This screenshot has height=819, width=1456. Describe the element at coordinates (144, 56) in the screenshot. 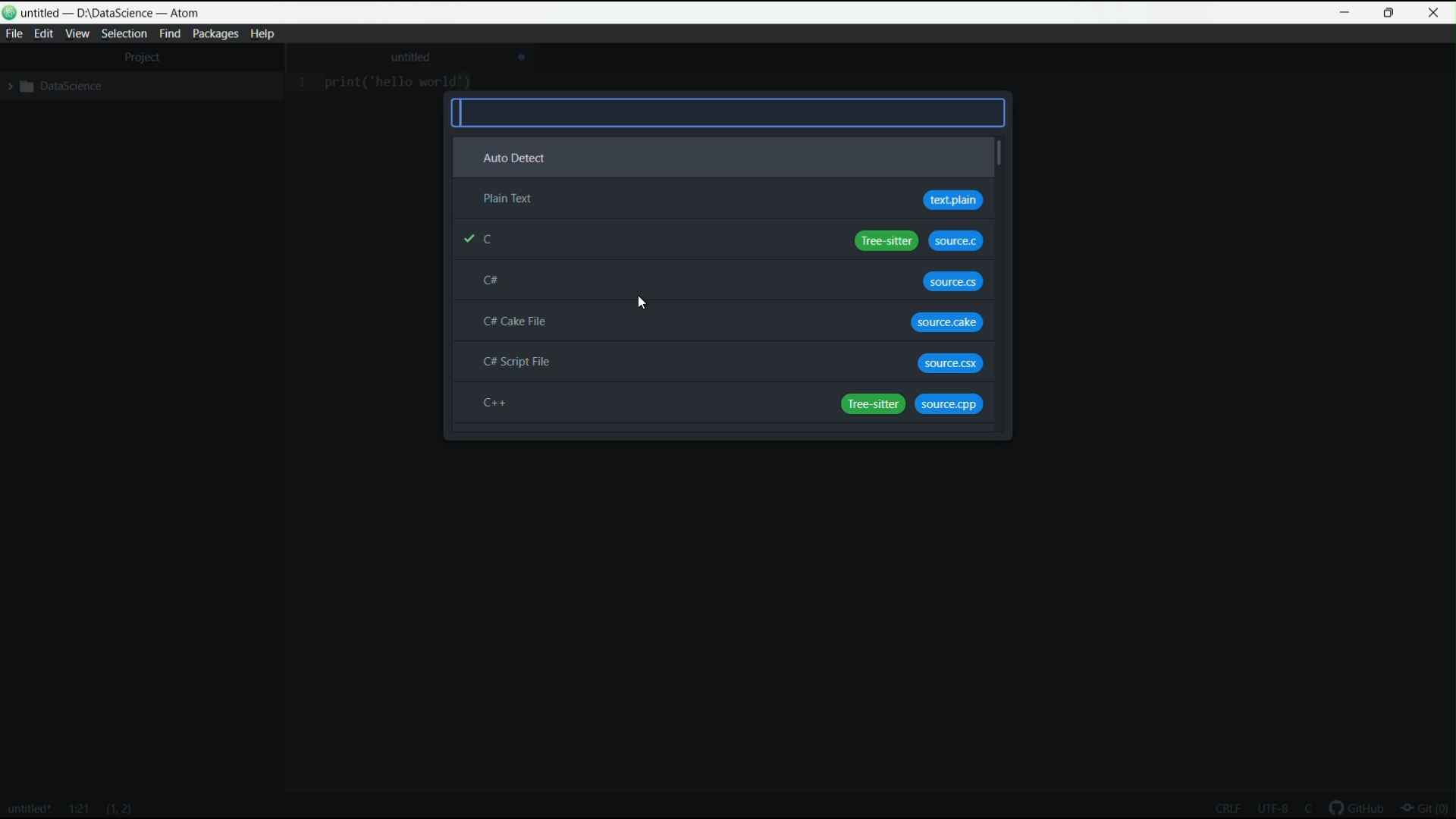

I see `project` at that location.